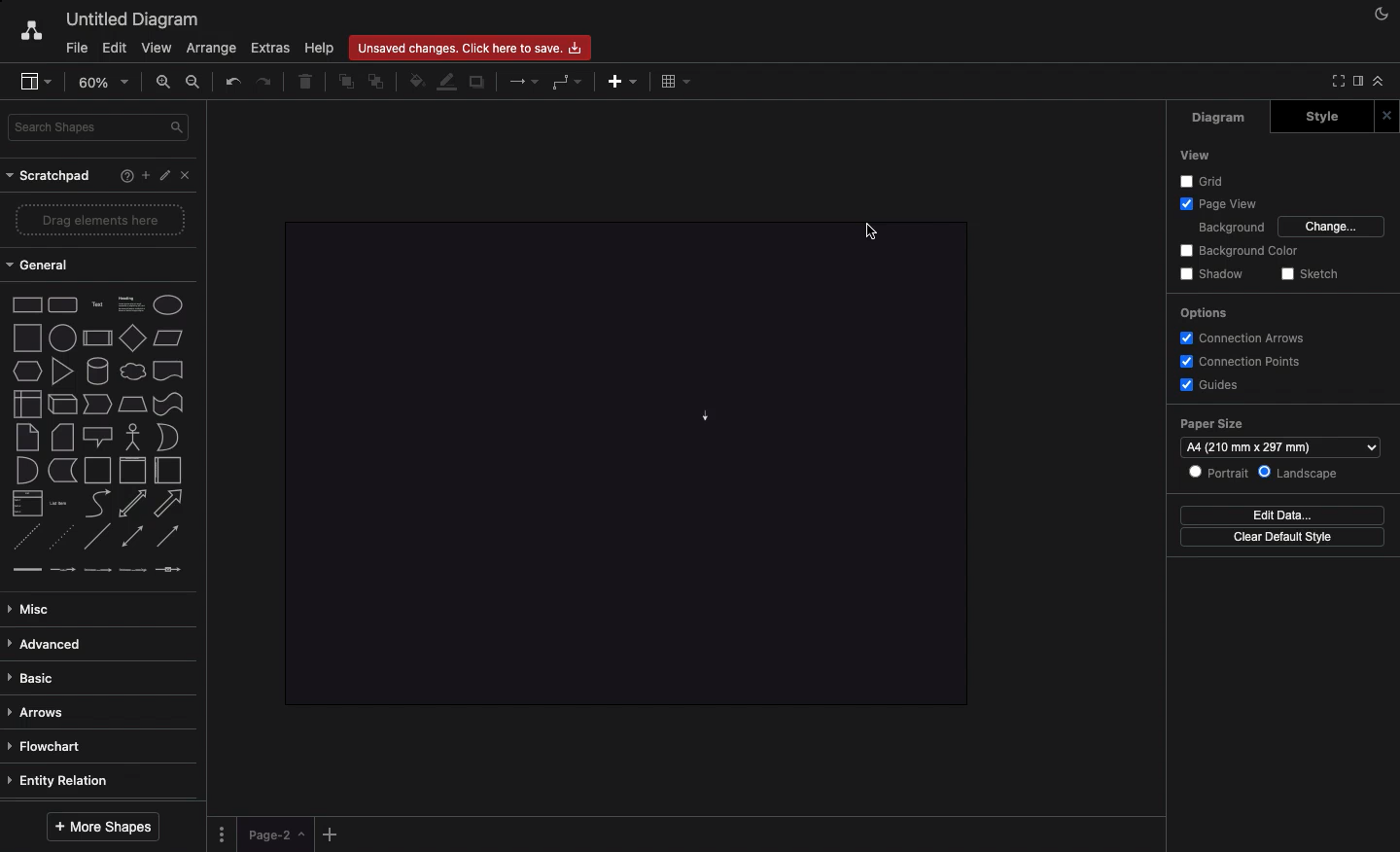 The height and width of the screenshot is (852, 1400). I want to click on Diagram, so click(1220, 118).